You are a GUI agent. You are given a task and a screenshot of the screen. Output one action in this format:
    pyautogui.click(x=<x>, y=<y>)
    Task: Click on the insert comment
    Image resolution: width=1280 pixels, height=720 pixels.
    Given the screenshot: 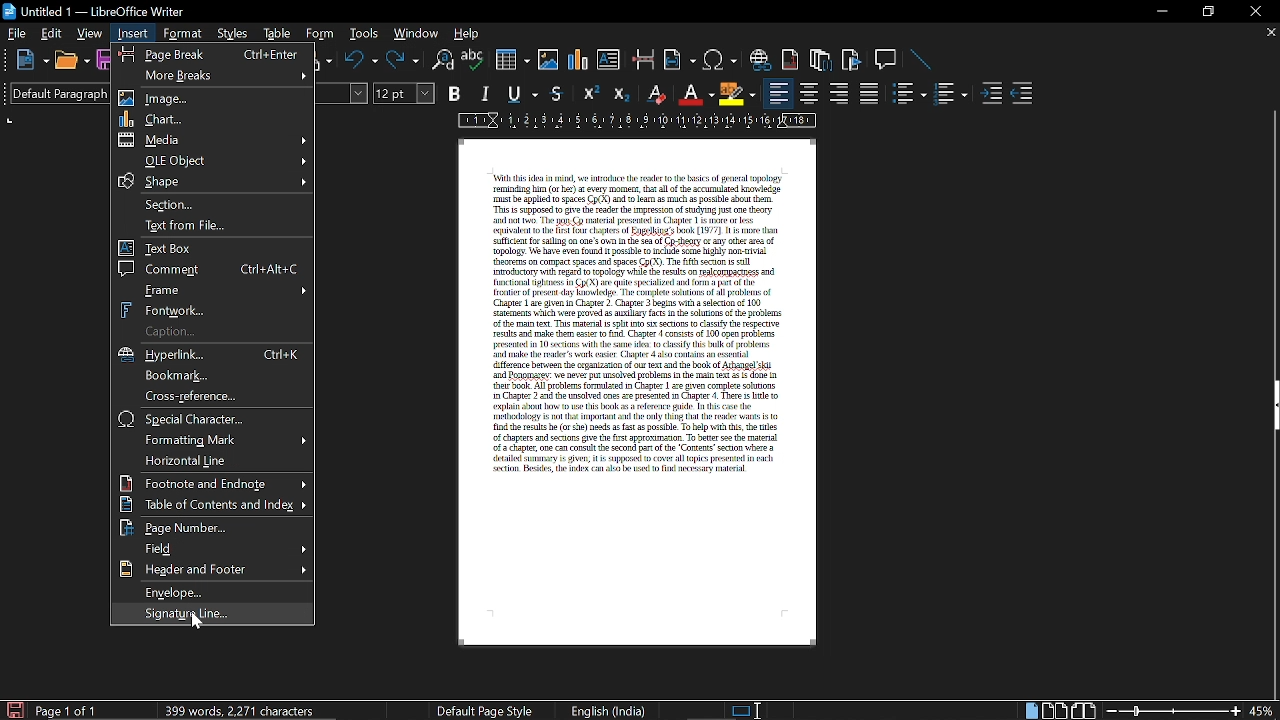 What is the action you would take?
    pyautogui.click(x=886, y=59)
    